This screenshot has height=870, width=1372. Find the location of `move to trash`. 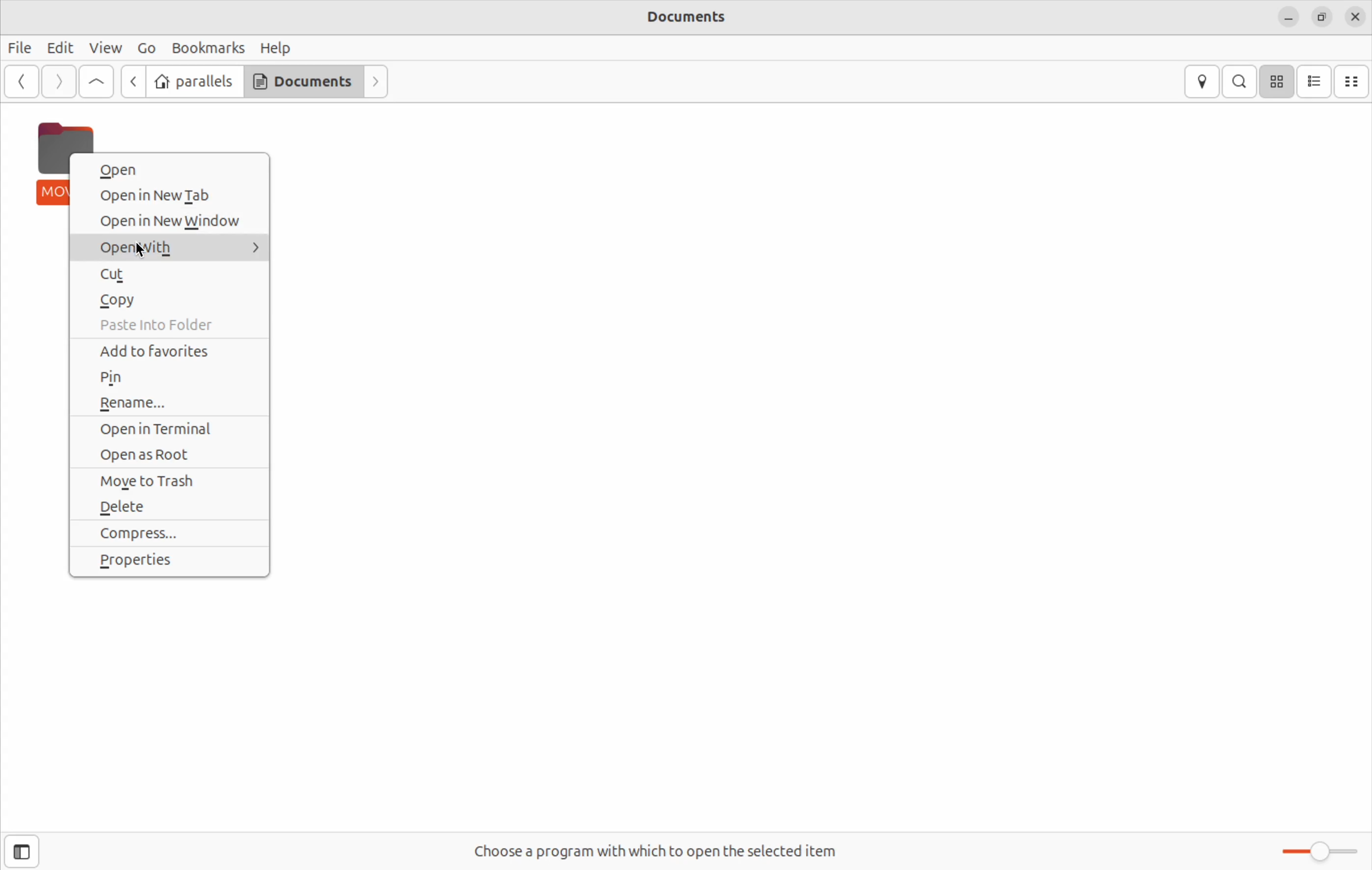

move to trash is located at coordinates (169, 482).